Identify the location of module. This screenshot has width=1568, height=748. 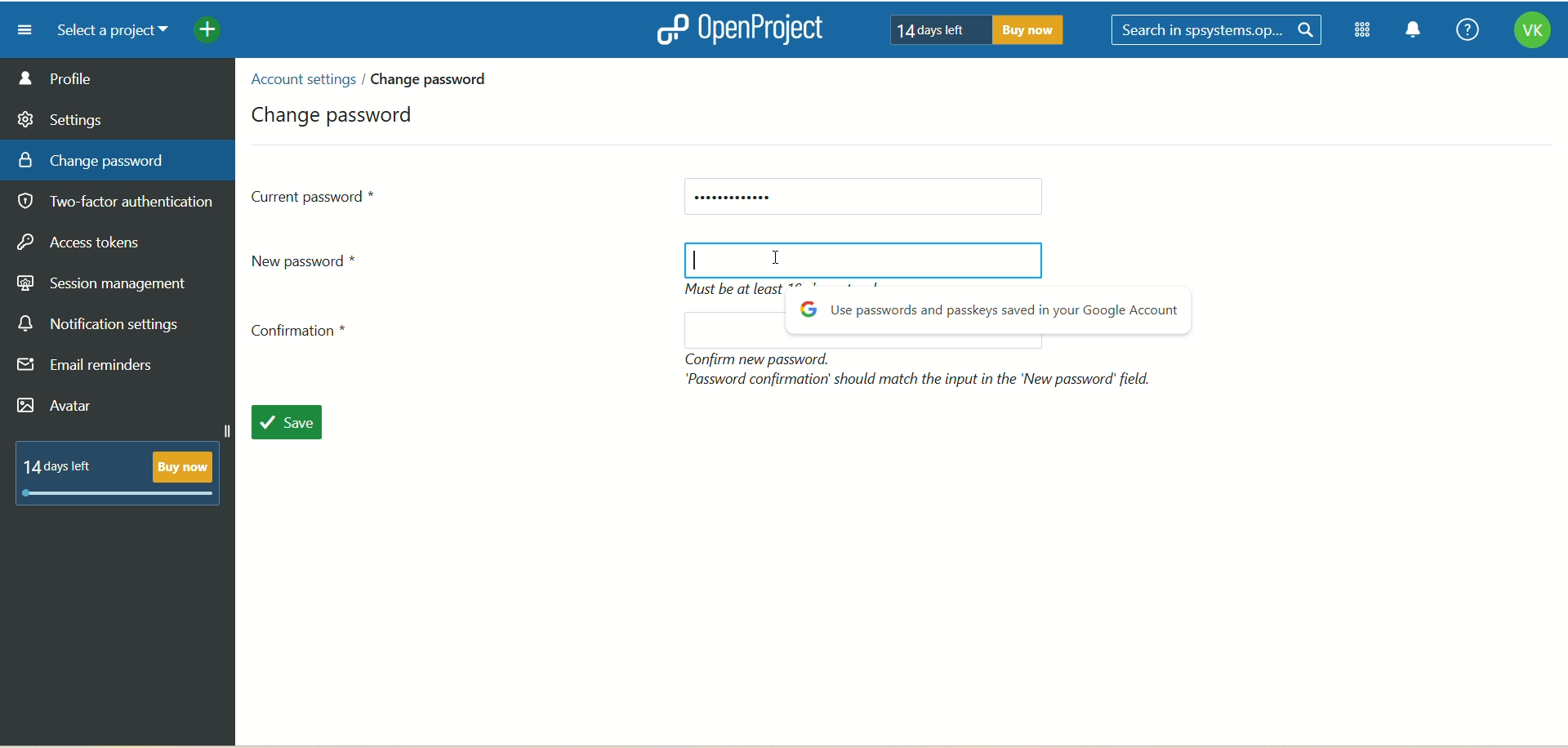
(1365, 30).